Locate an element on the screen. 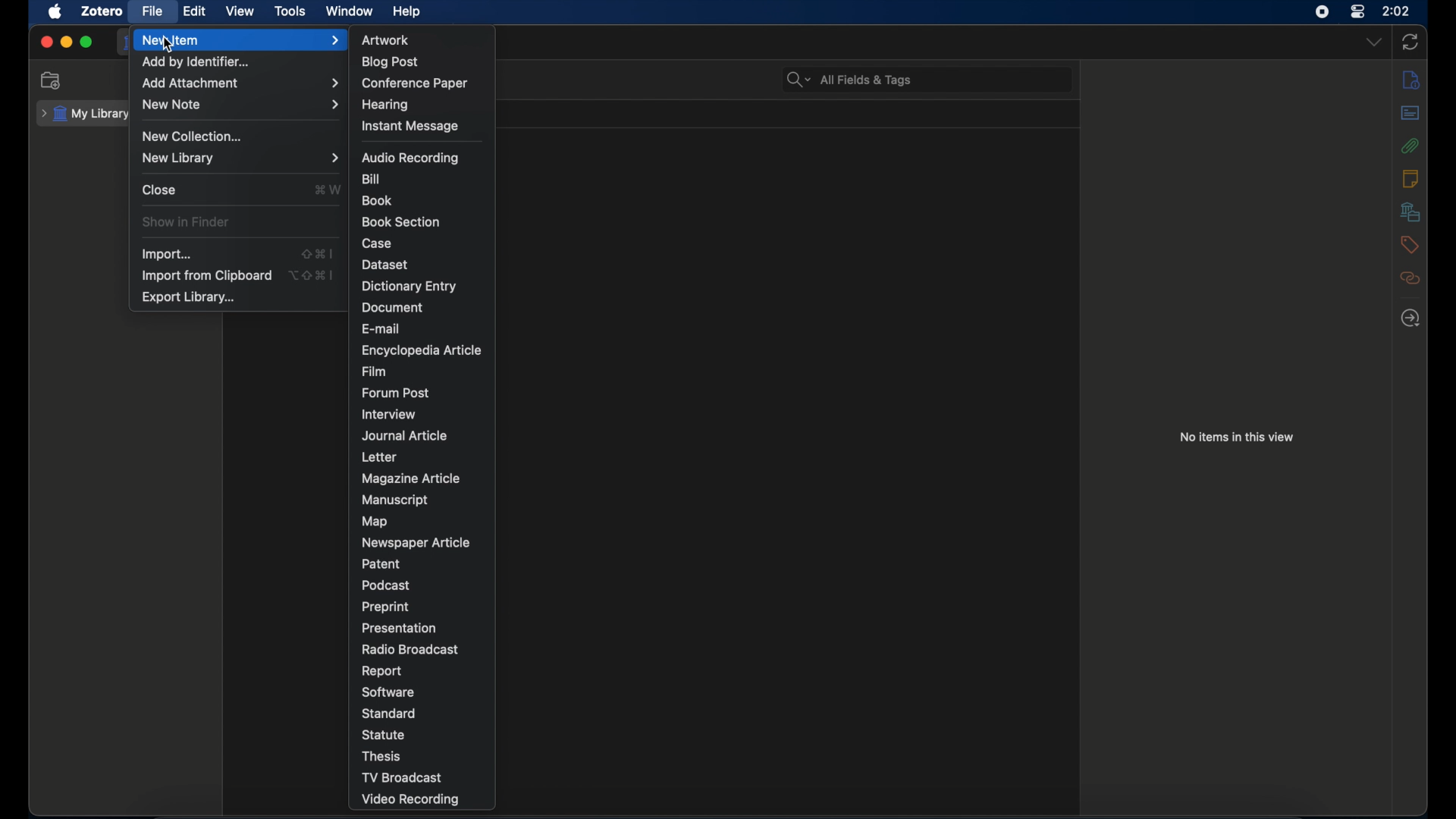 Image resolution: width=1456 pixels, height=819 pixels. search is located at coordinates (849, 80).